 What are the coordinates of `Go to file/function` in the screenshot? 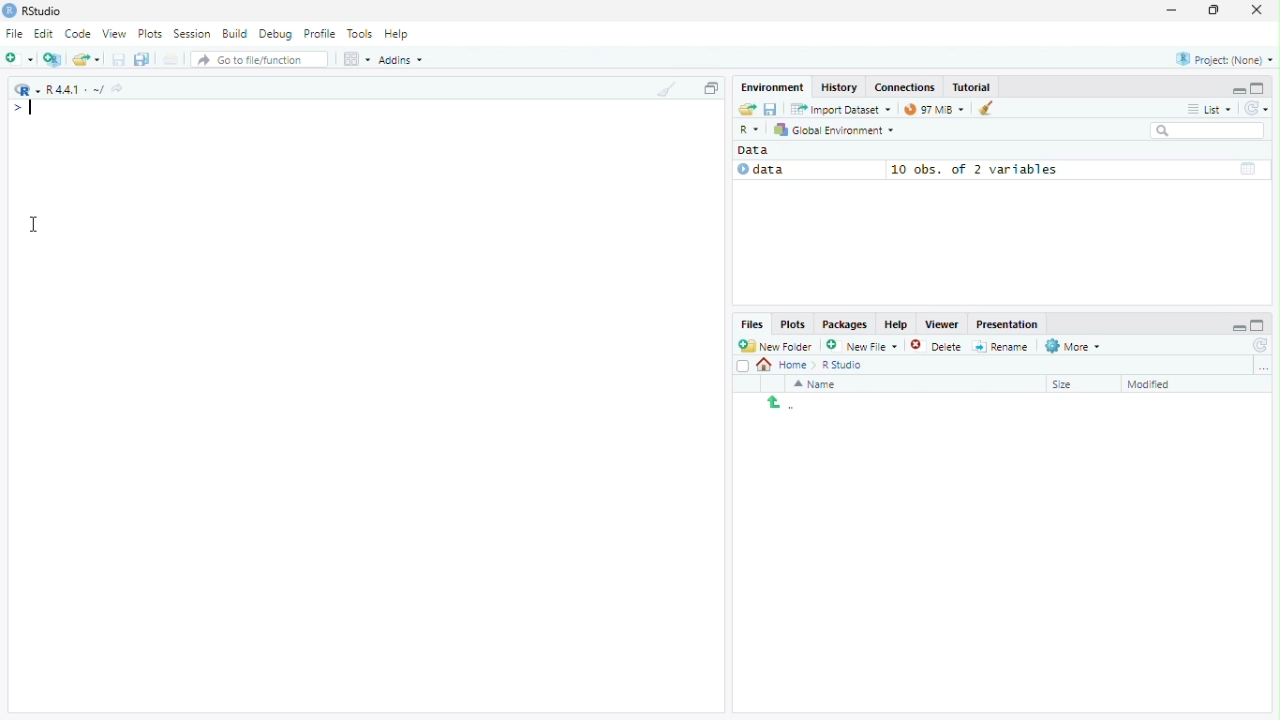 It's located at (260, 59).